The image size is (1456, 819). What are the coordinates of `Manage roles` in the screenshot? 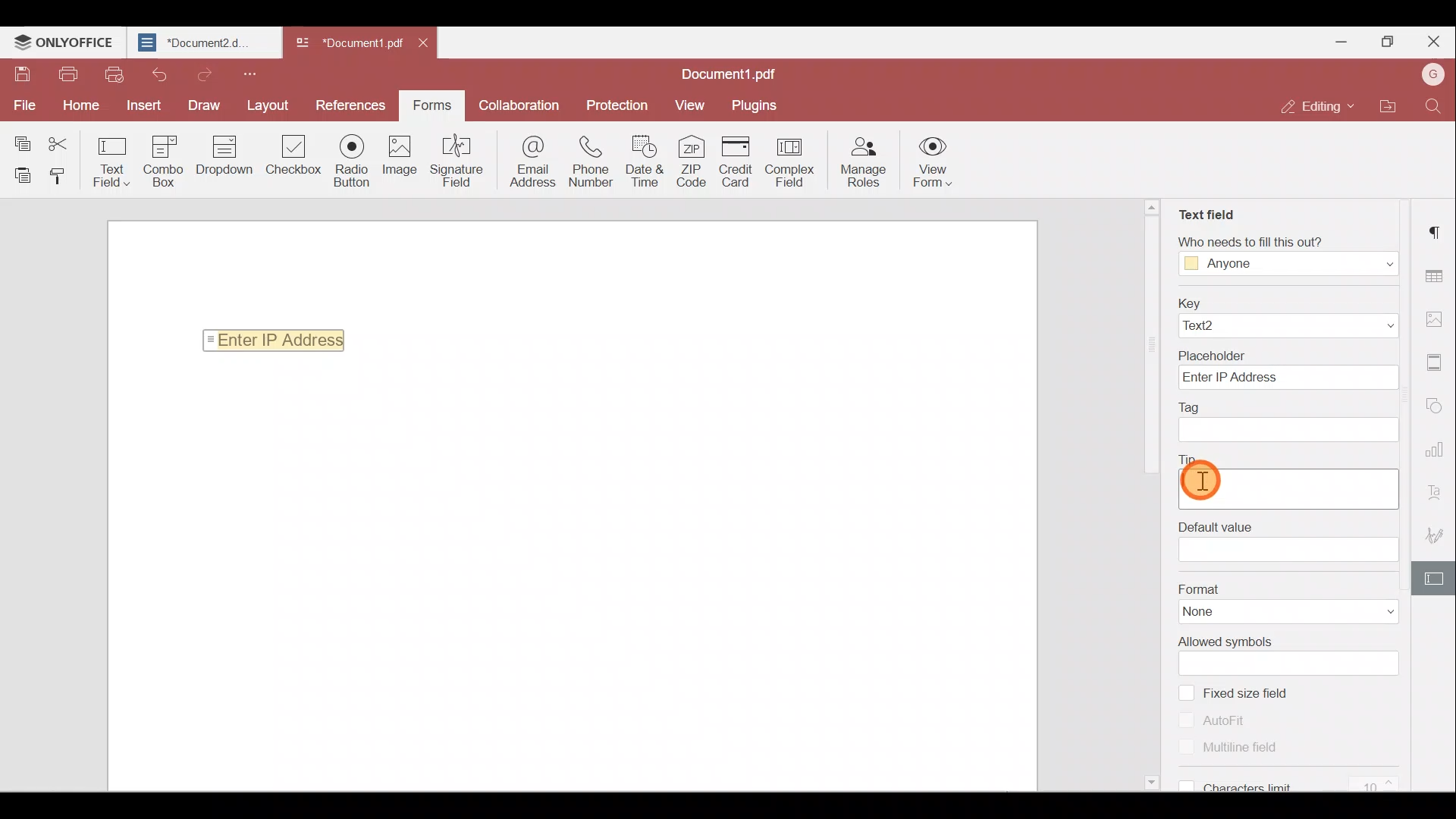 It's located at (868, 163).